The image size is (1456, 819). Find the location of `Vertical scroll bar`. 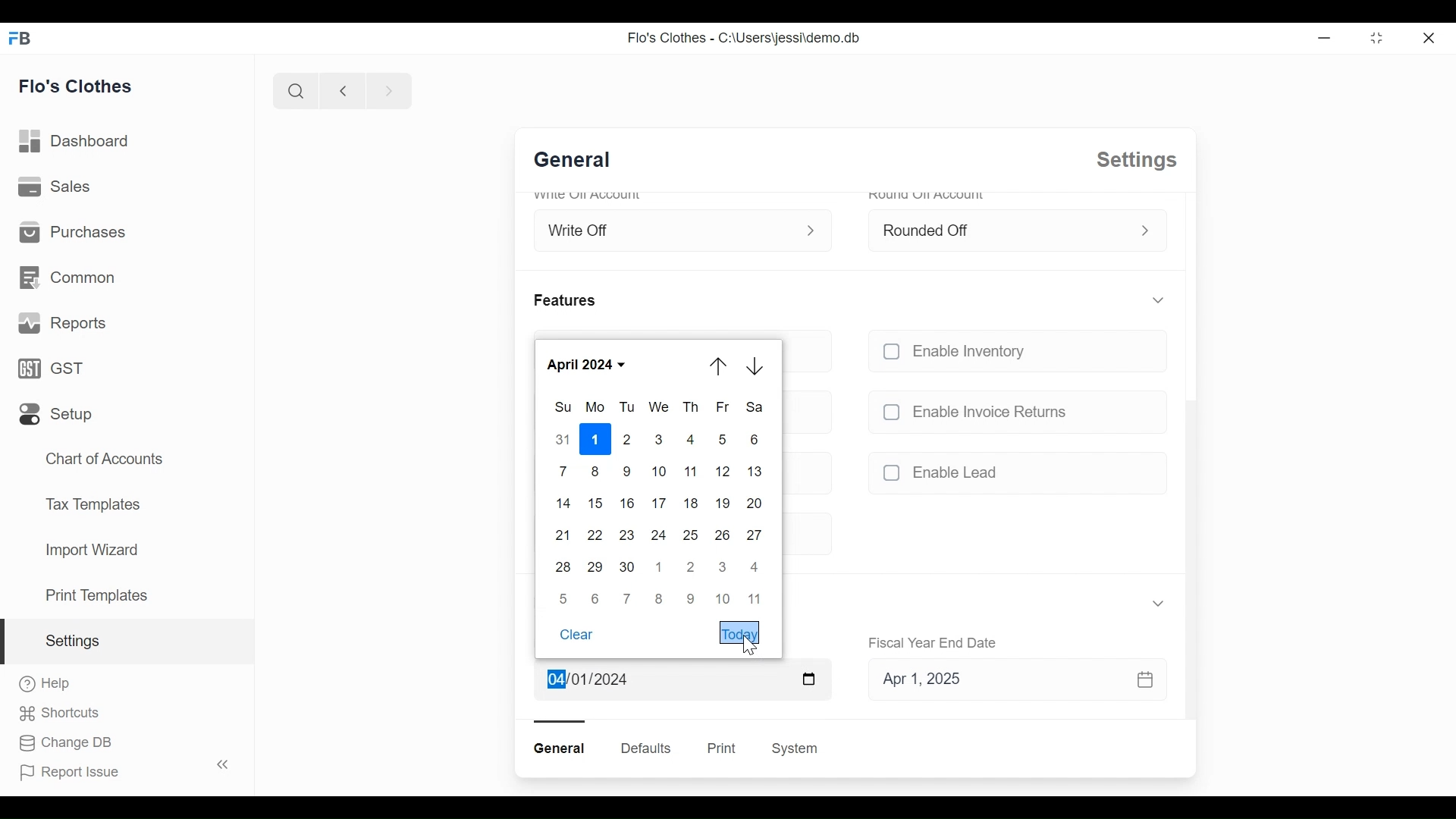

Vertical scroll bar is located at coordinates (1189, 558).